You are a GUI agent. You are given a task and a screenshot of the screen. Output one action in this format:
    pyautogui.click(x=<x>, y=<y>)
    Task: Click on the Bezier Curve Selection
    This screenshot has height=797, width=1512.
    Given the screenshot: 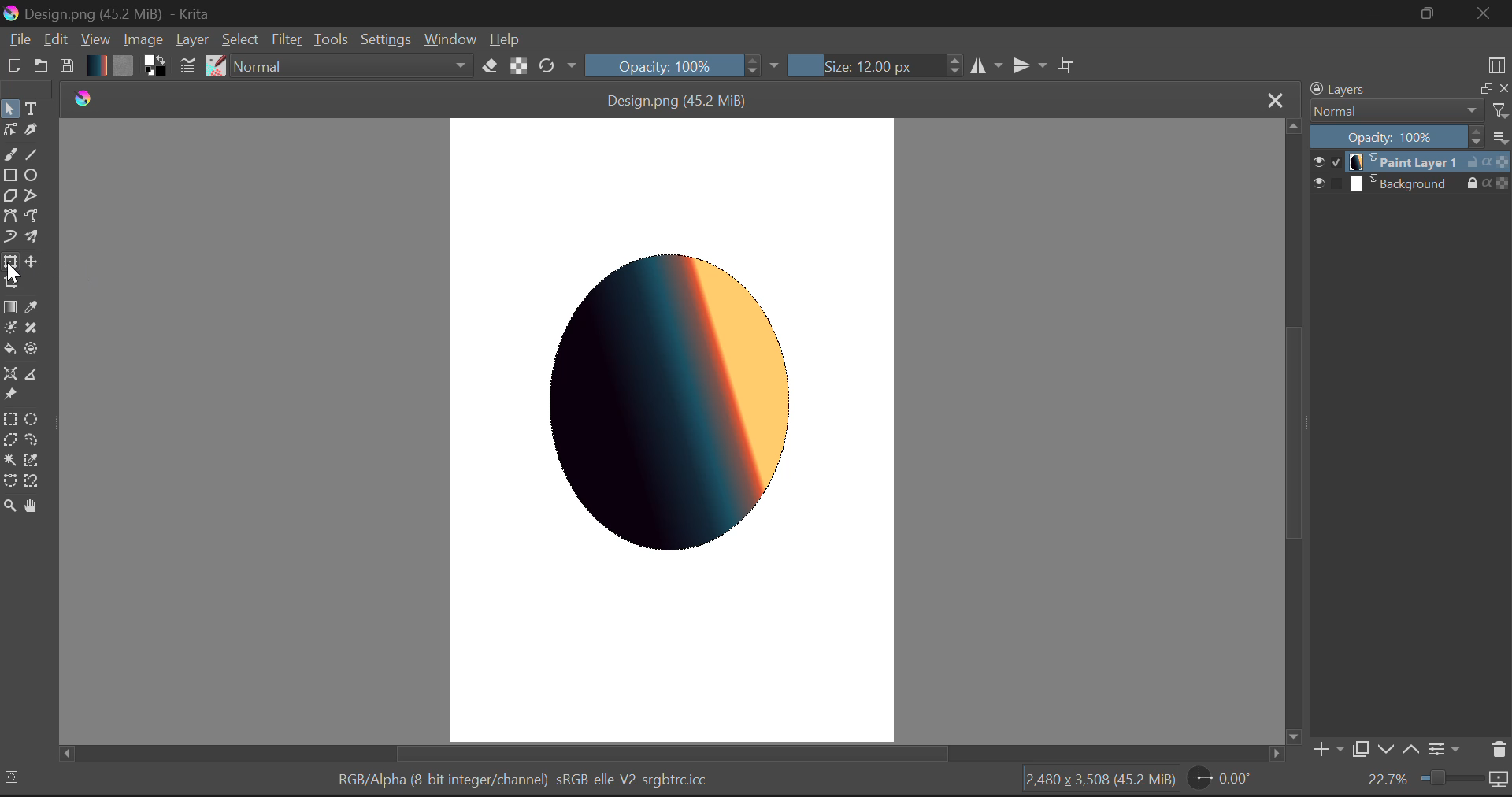 What is the action you would take?
    pyautogui.click(x=9, y=483)
    